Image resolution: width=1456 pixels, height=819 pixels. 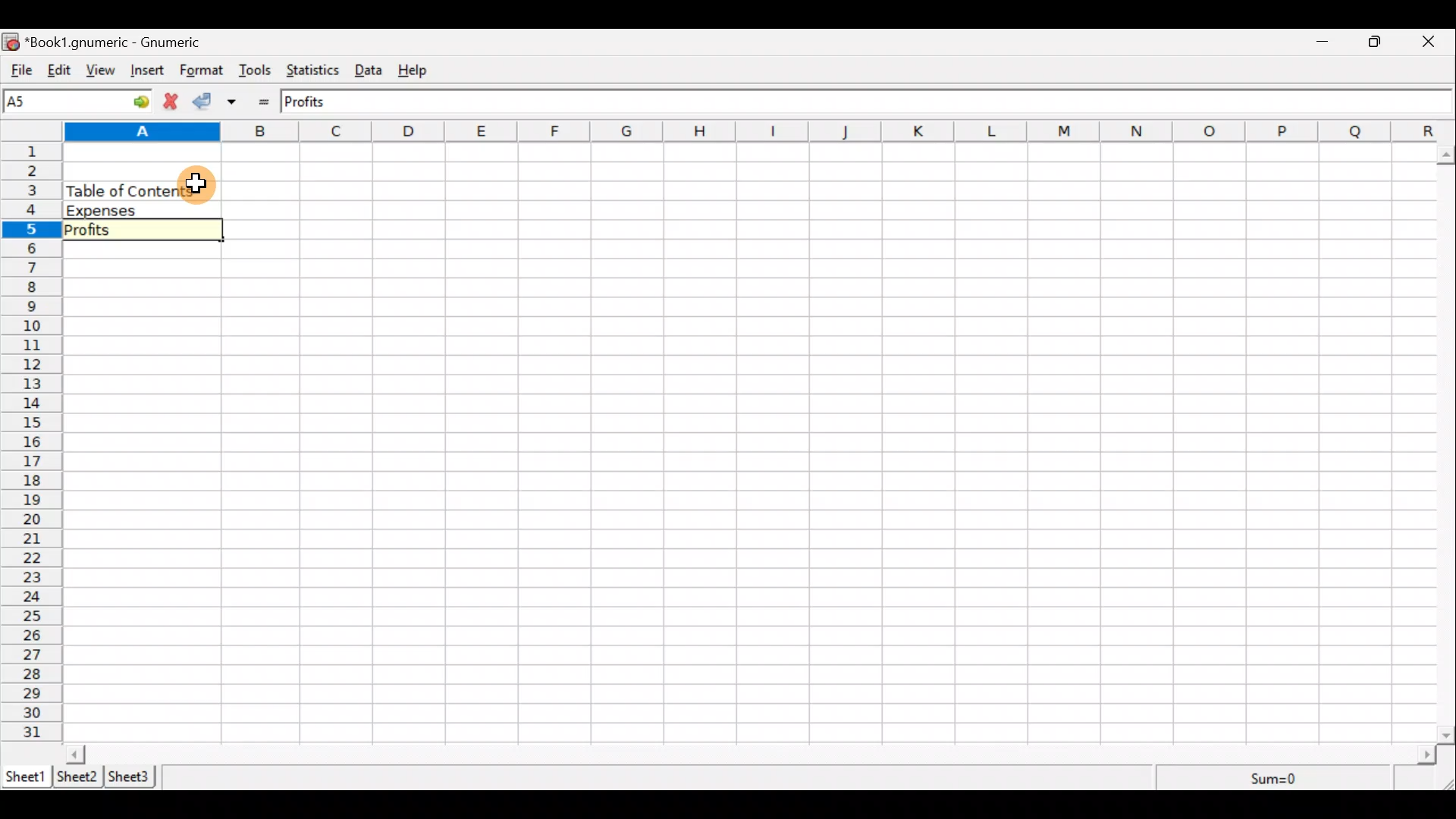 What do you see at coordinates (1447, 155) in the screenshot?
I see `scroll up` at bounding box center [1447, 155].